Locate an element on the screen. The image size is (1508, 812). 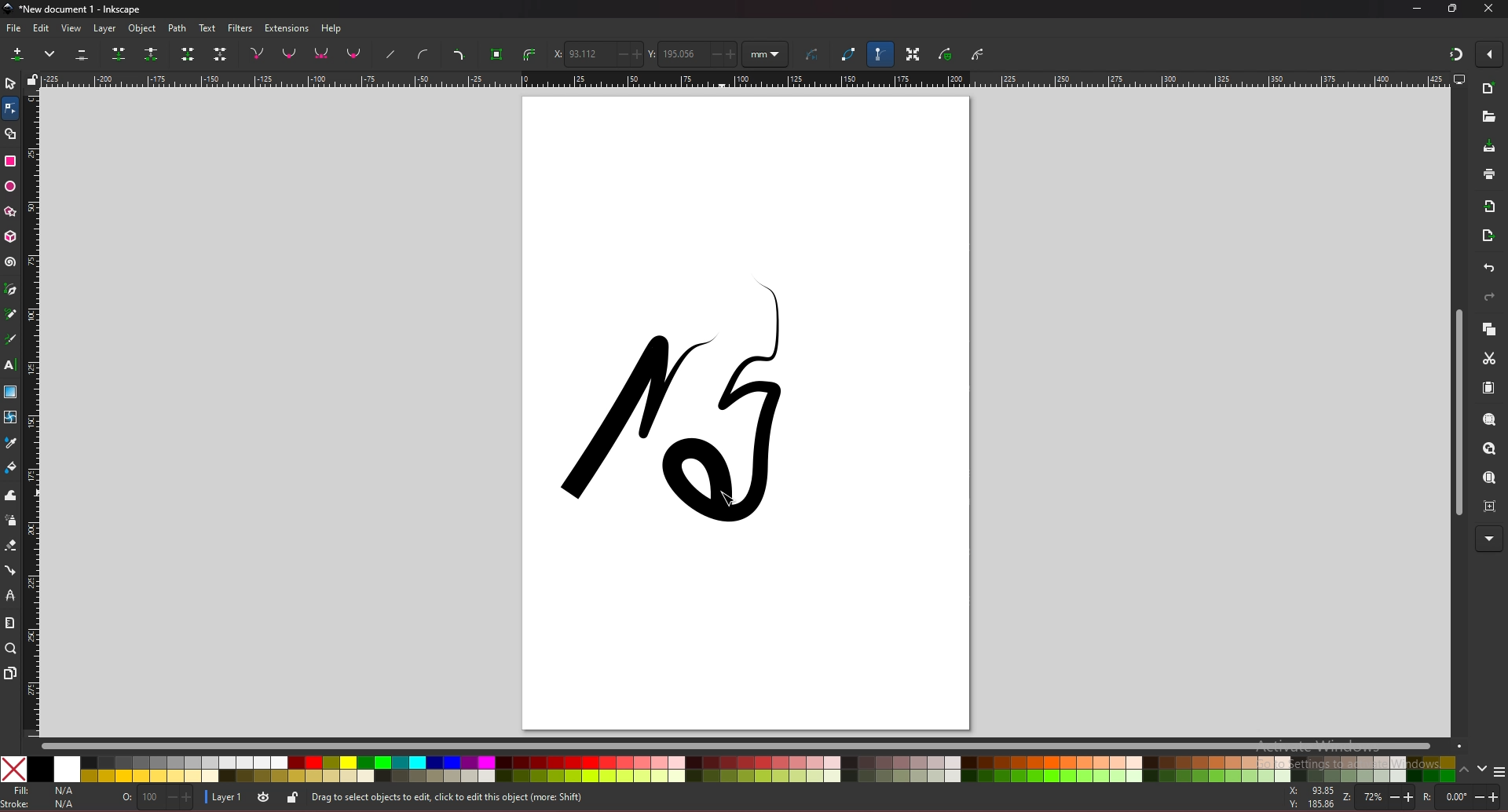
new is located at coordinates (1488, 90).